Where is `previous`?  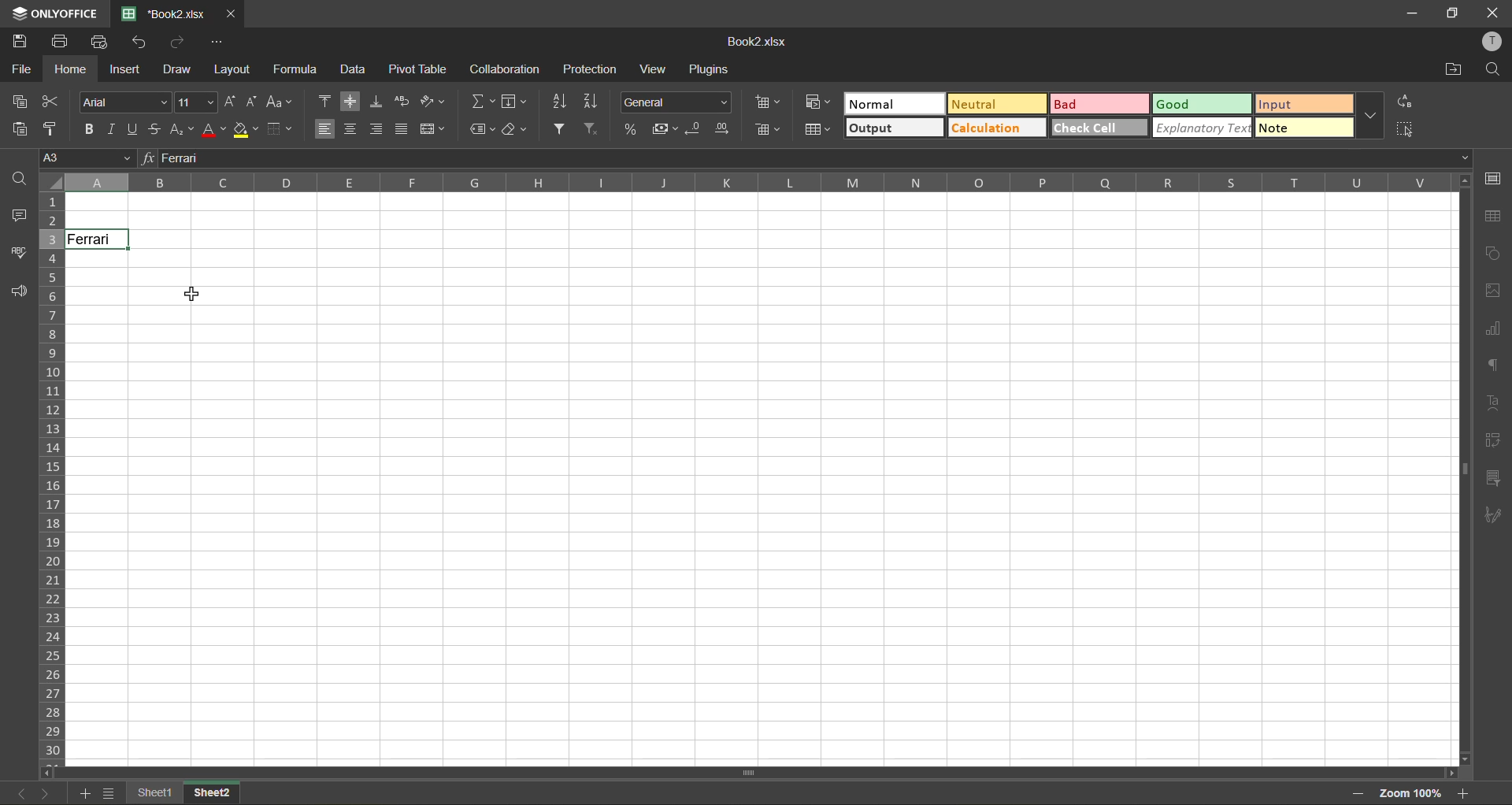
previous is located at coordinates (17, 793).